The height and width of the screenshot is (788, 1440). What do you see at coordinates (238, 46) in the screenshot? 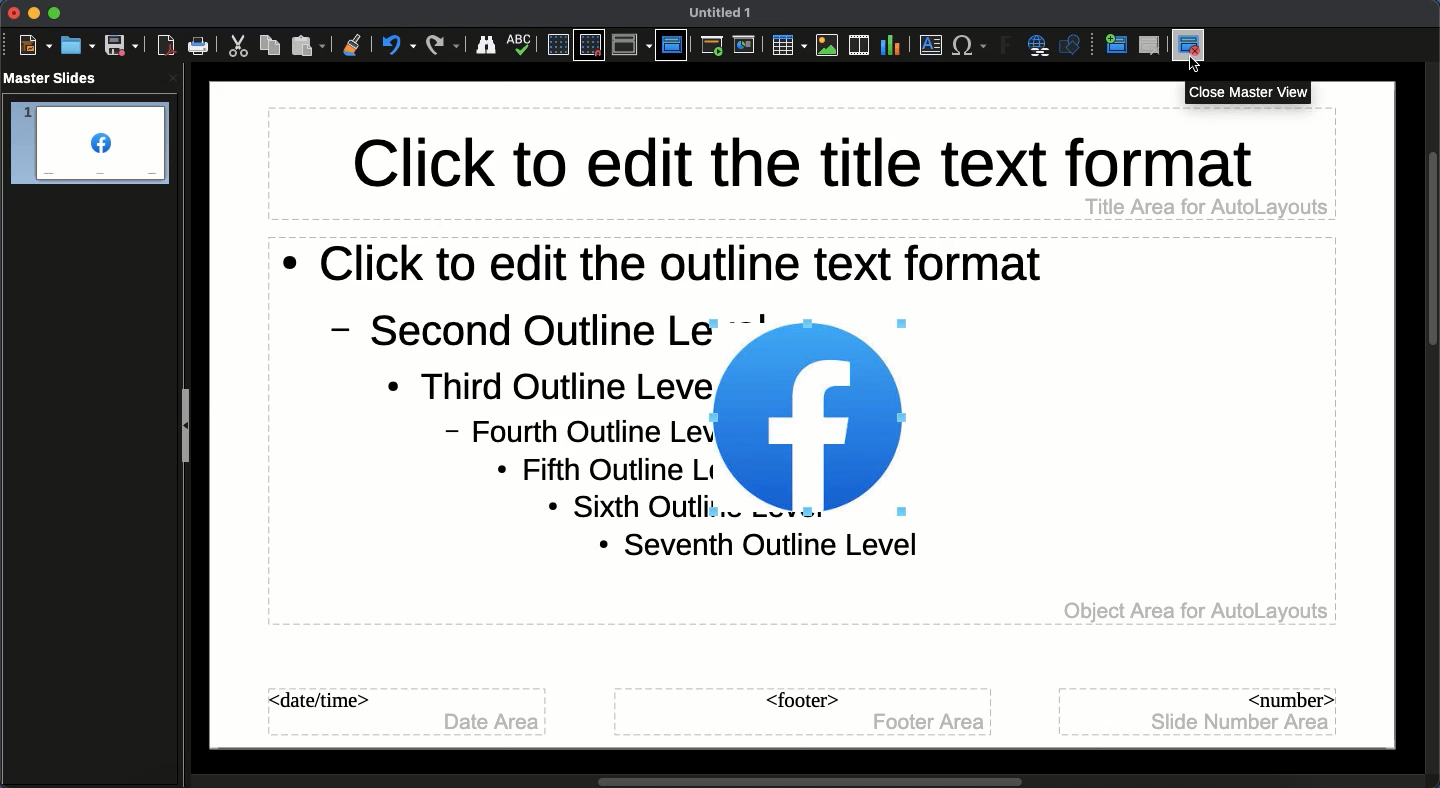
I see `Cut` at bounding box center [238, 46].